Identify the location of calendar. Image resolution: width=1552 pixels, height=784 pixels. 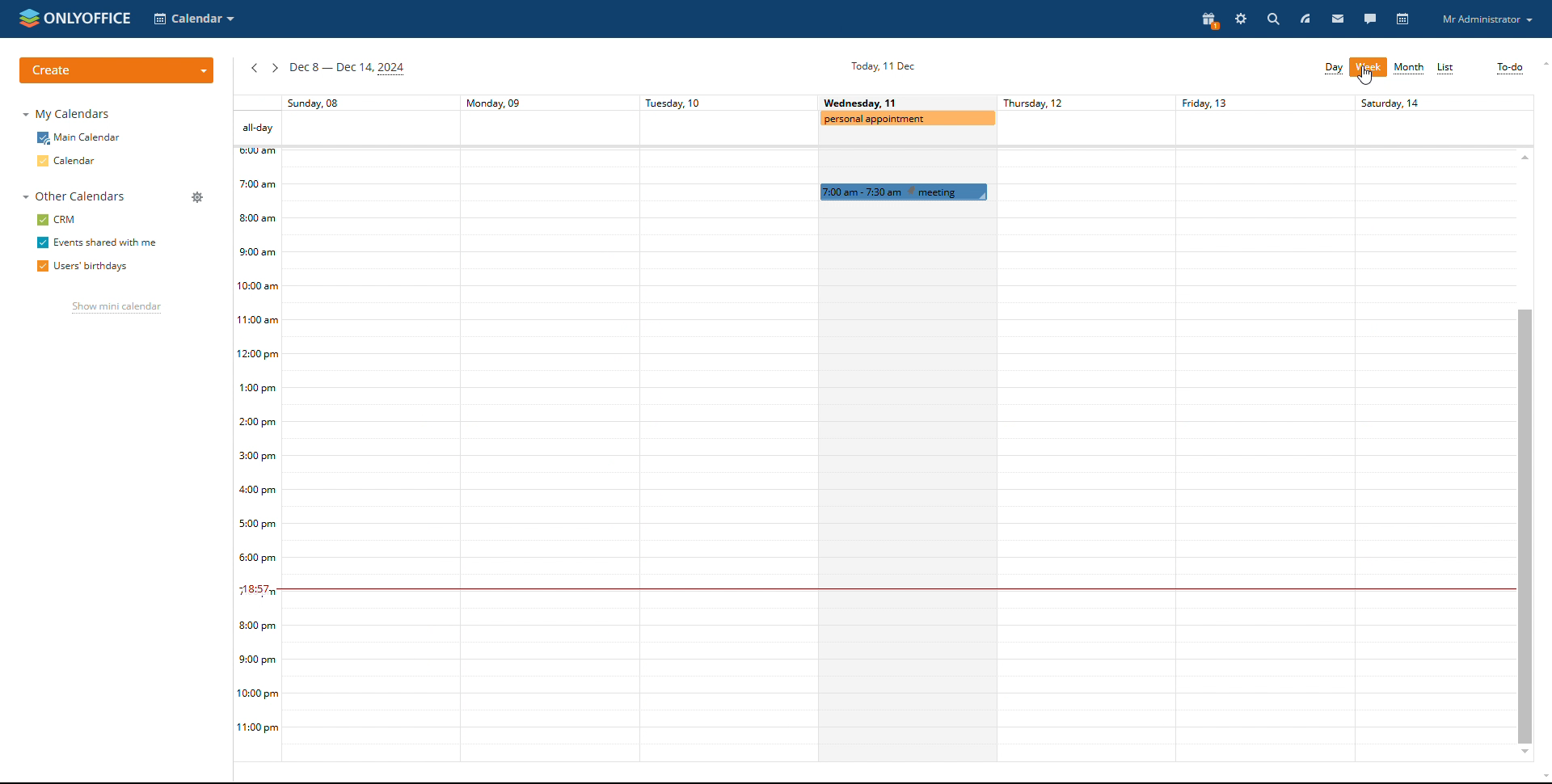
(70, 161).